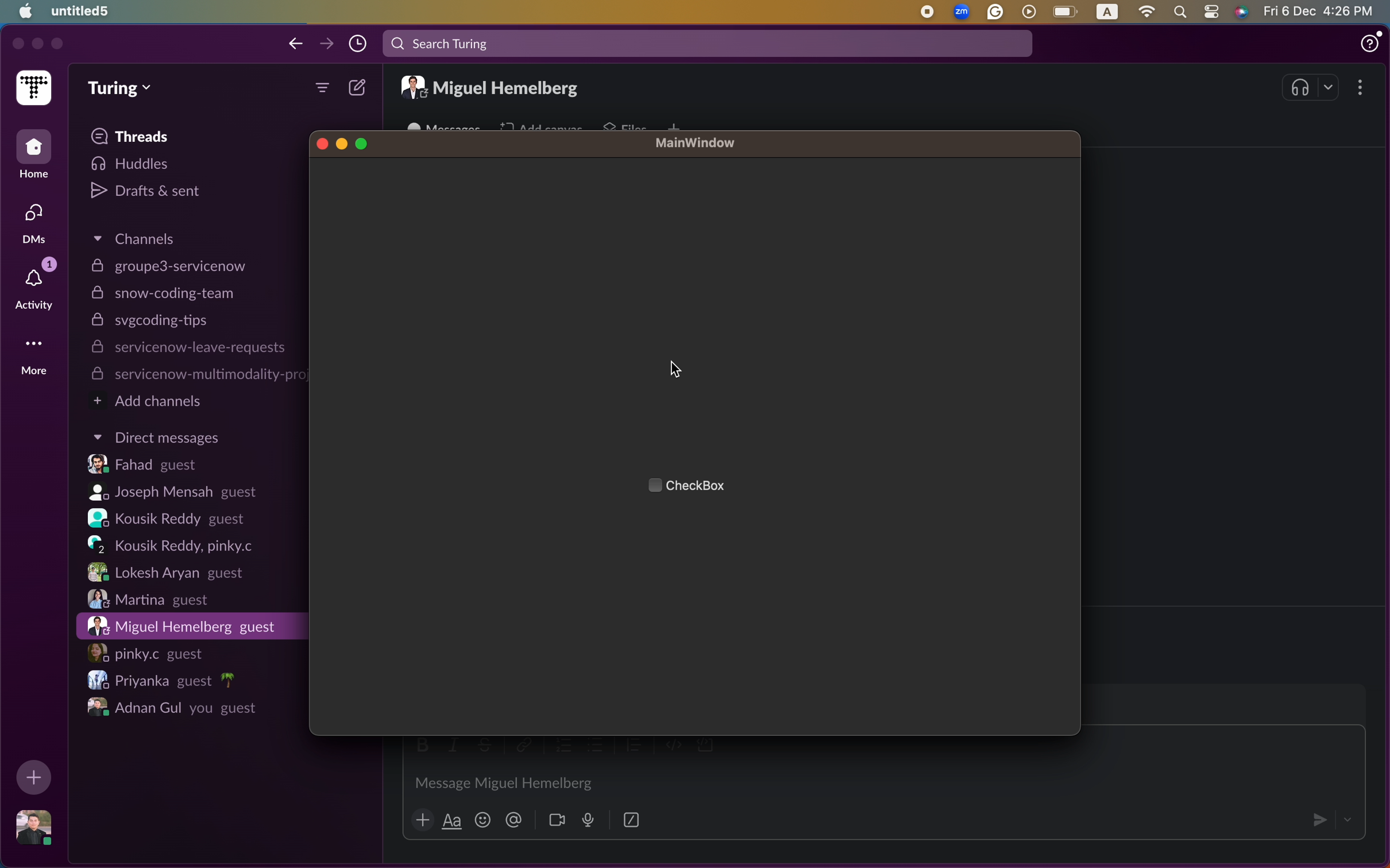 This screenshot has width=1390, height=868. Describe the element at coordinates (196, 375) in the screenshot. I see `servicenow-multimodality` at that location.